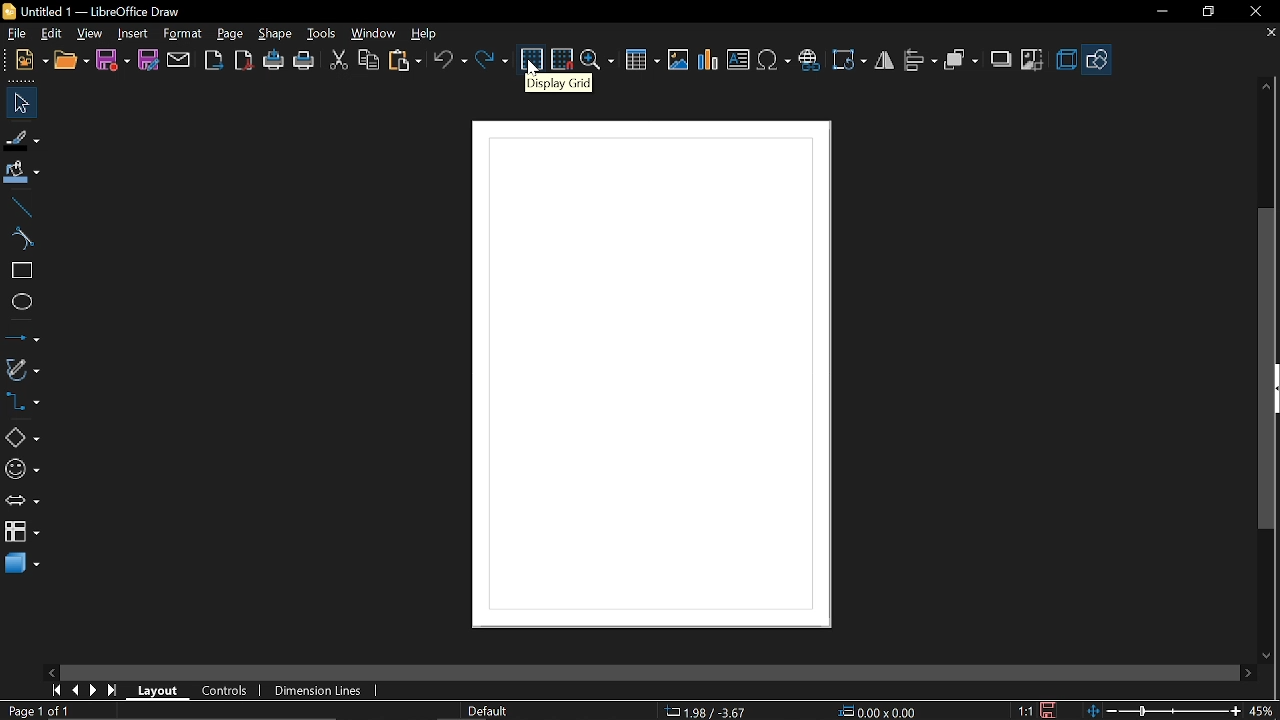  I want to click on go to first page, so click(56, 691).